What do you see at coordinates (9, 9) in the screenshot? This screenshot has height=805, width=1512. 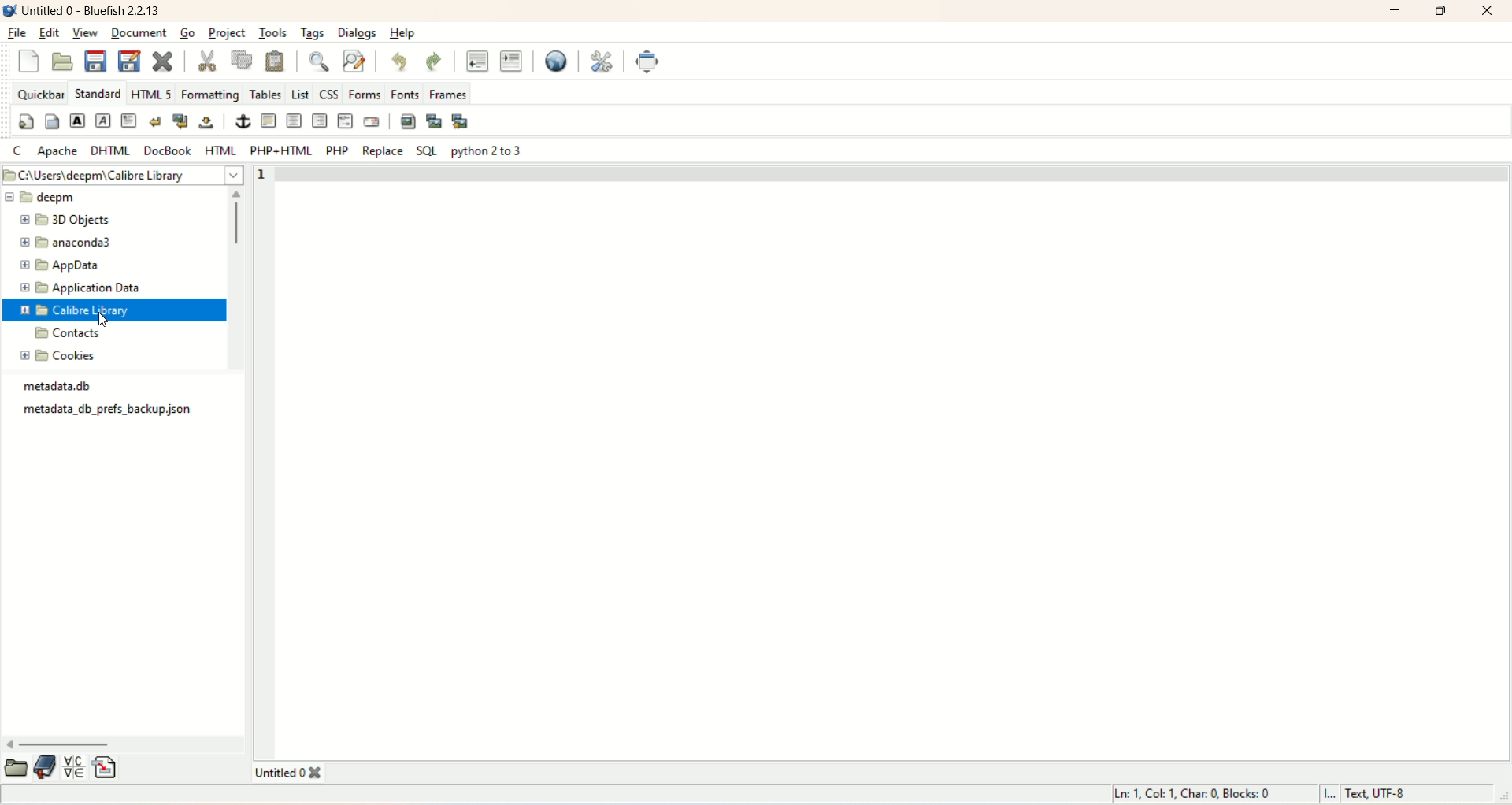 I see `logo` at bounding box center [9, 9].